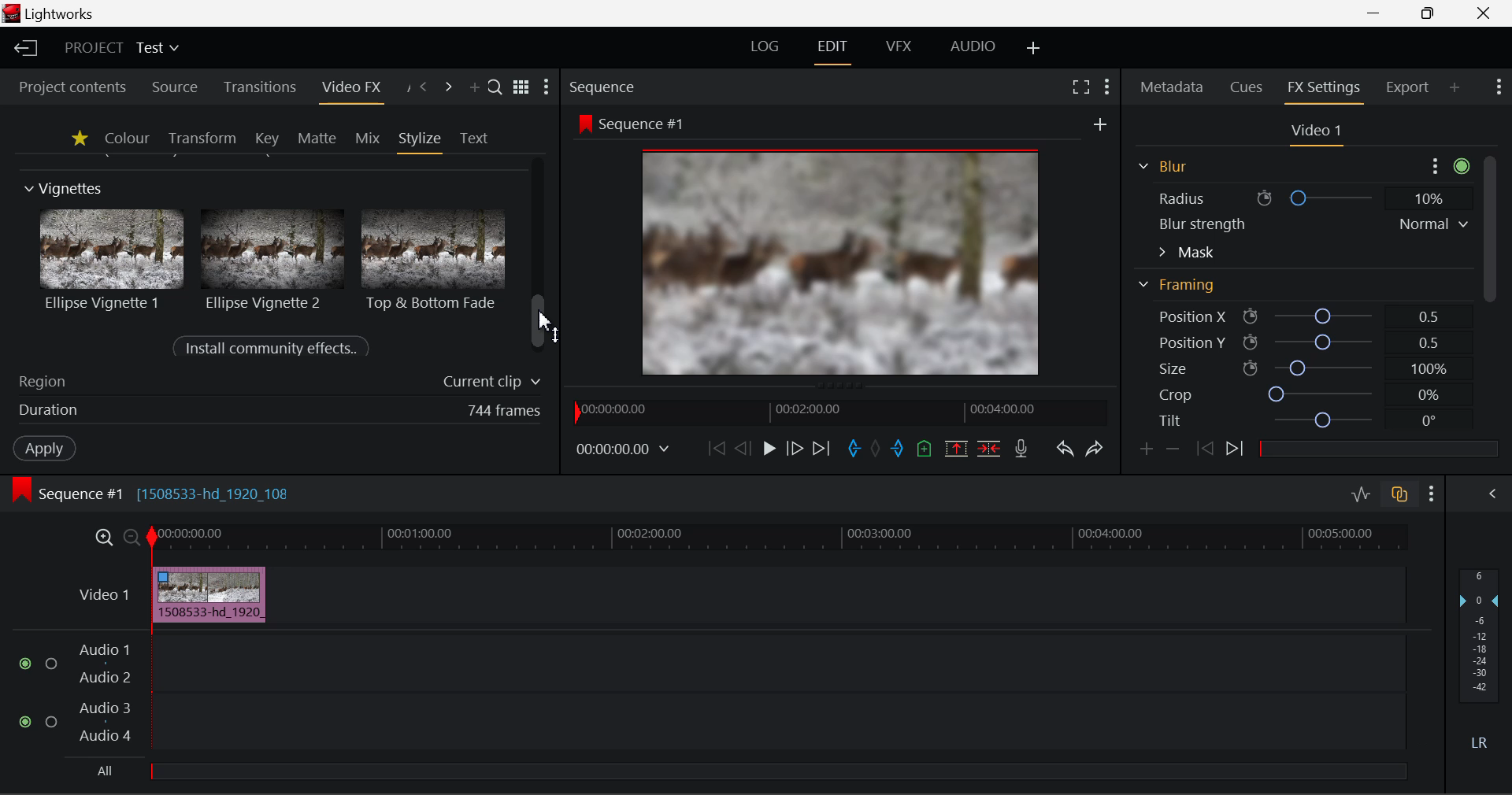 Image resolution: width=1512 pixels, height=795 pixels. What do you see at coordinates (521, 89) in the screenshot?
I see `Toggle list & title view` at bounding box center [521, 89].